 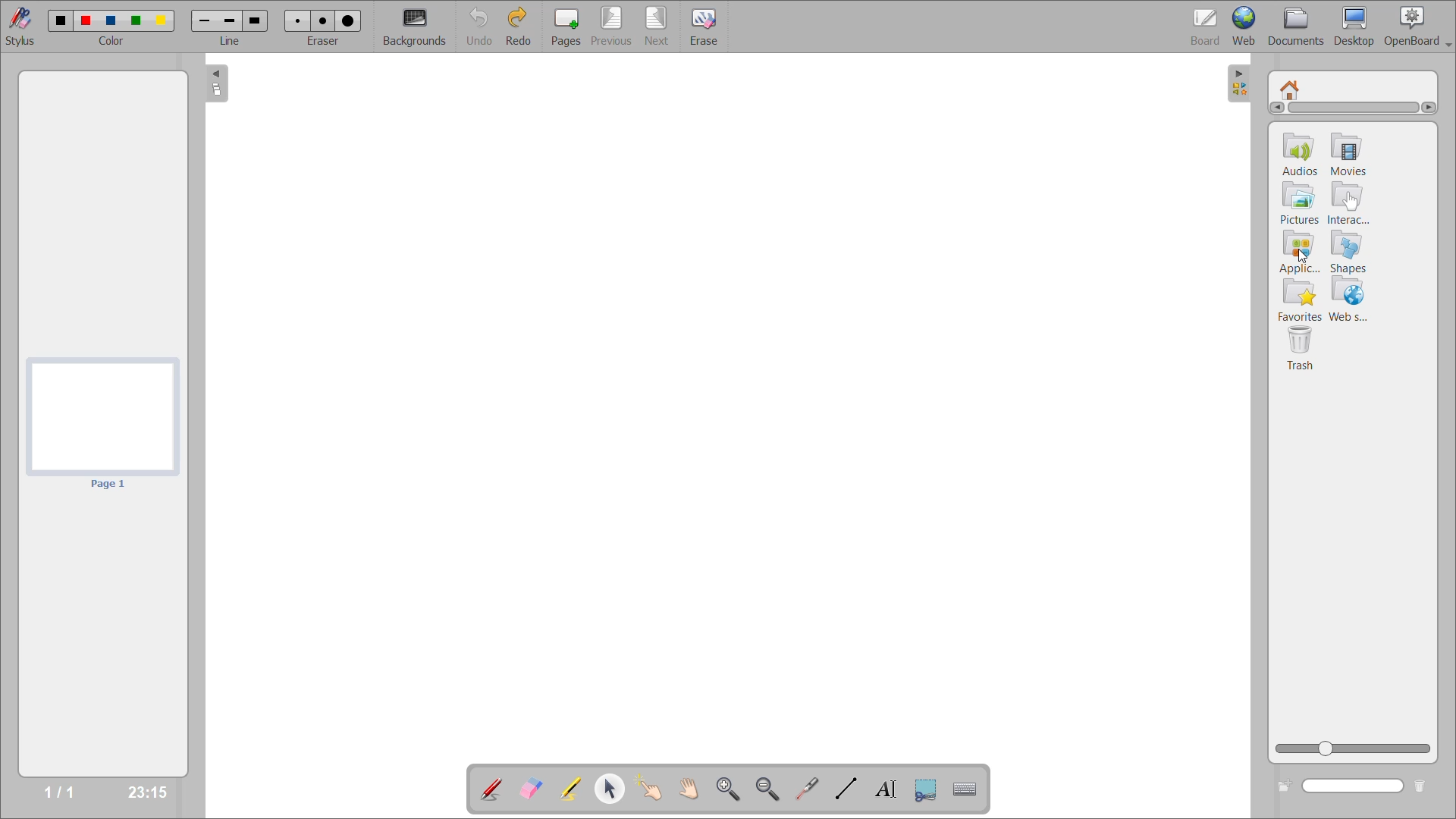 I want to click on redo, so click(x=522, y=25).